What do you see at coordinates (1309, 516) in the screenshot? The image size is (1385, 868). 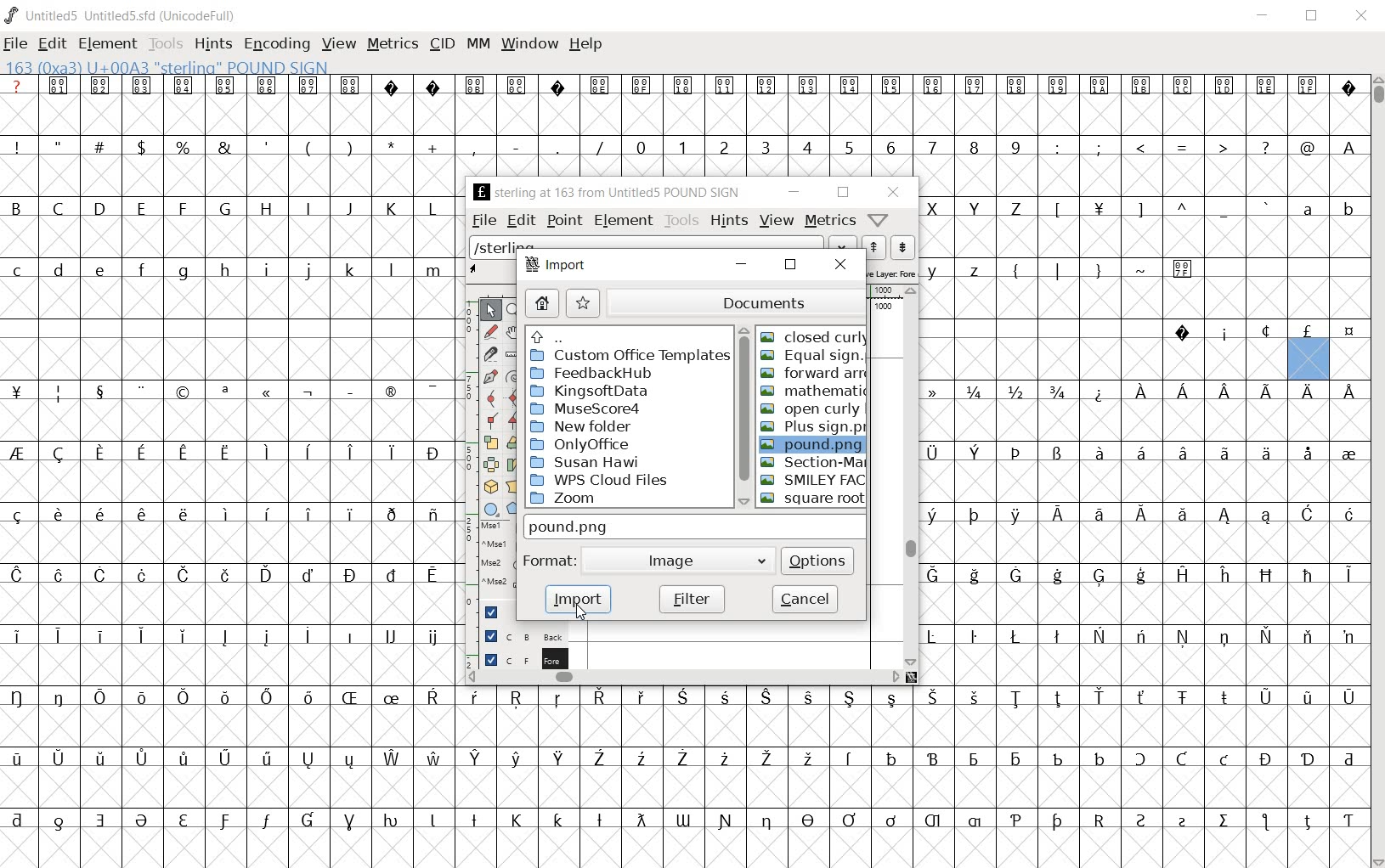 I see `Symbol` at bounding box center [1309, 516].